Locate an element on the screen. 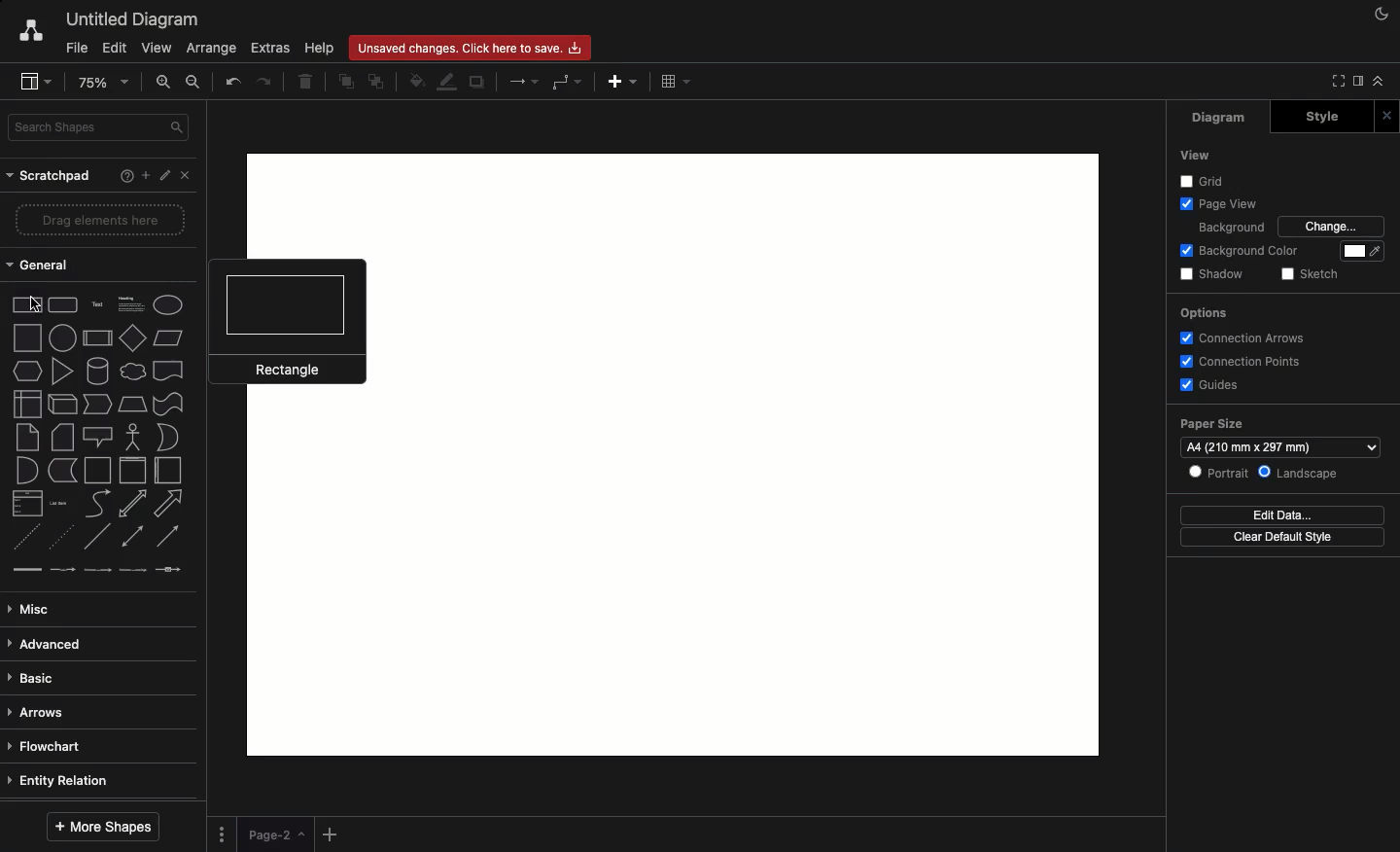 The image size is (1400, 852). or is located at coordinates (172, 437).